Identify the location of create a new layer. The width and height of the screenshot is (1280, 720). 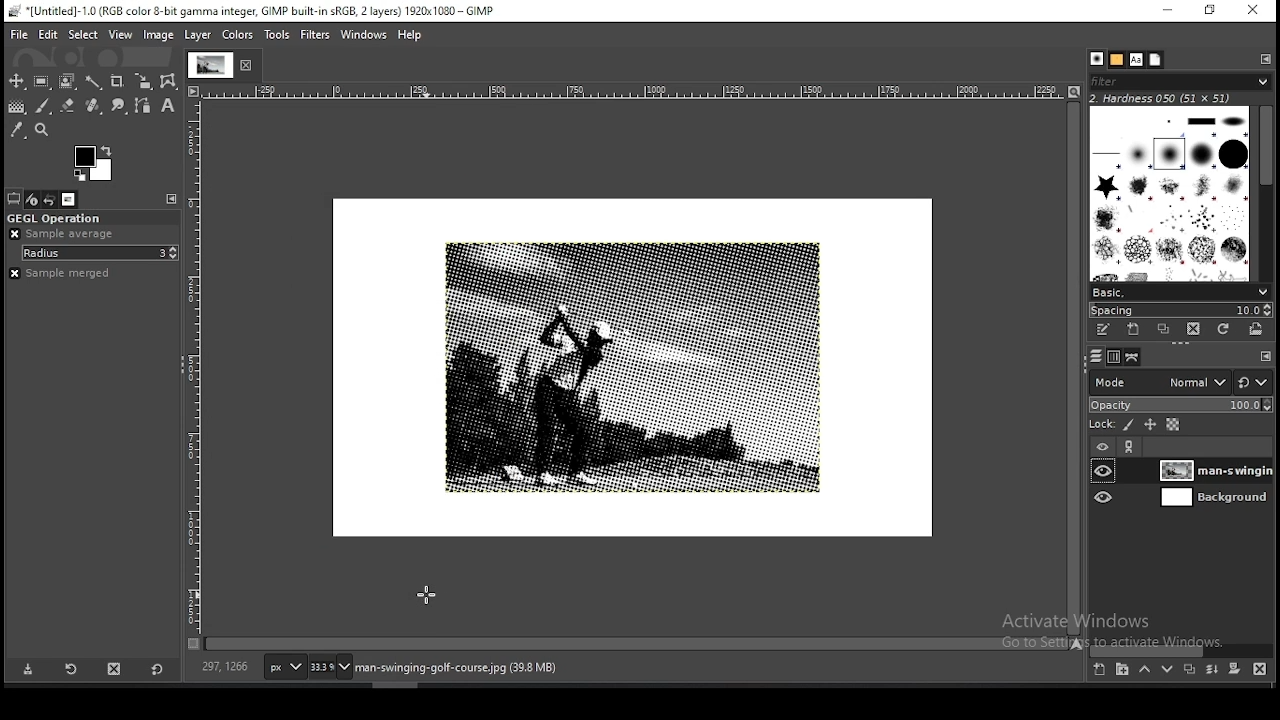
(1100, 669).